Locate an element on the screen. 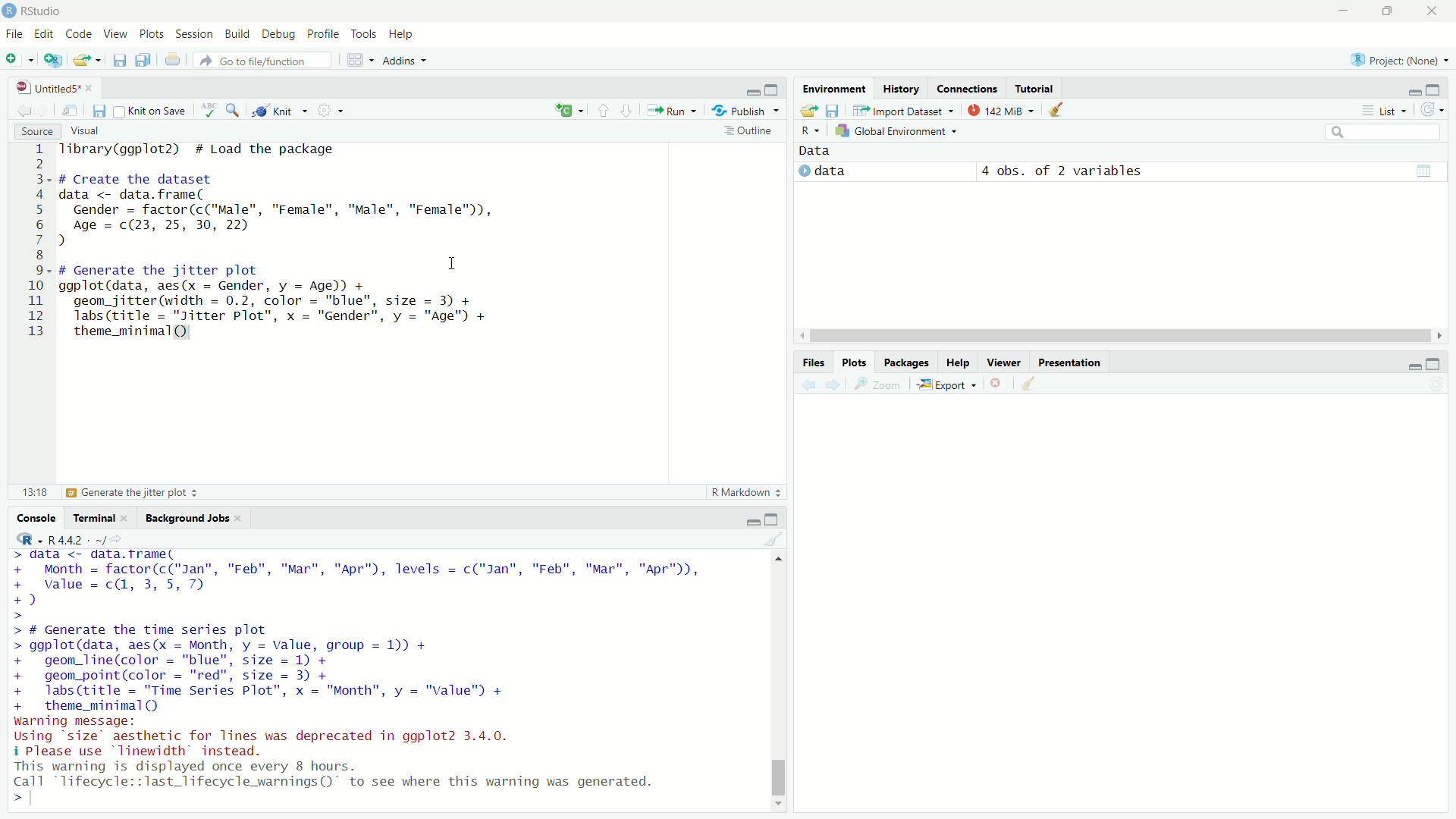 The width and height of the screenshot is (1456, 819). workspace panes is located at coordinates (359, 60).